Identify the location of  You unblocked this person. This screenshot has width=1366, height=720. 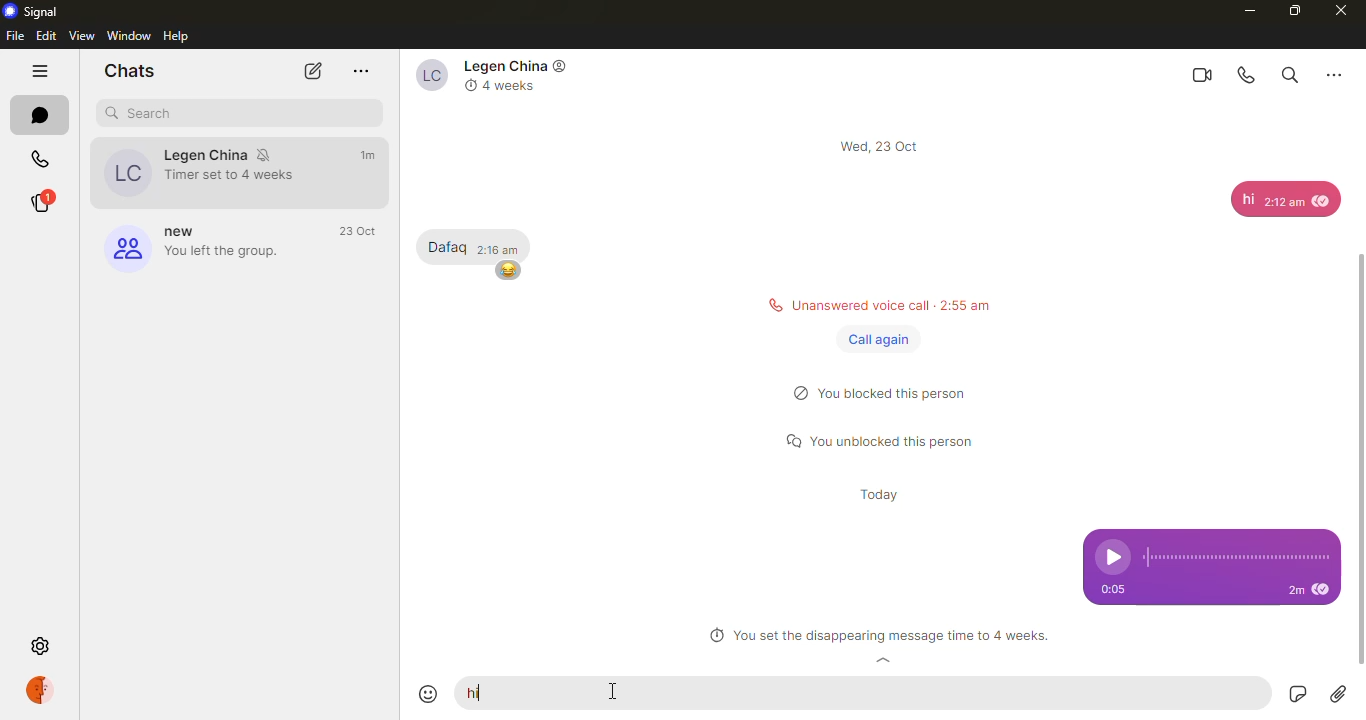
(887, 442).